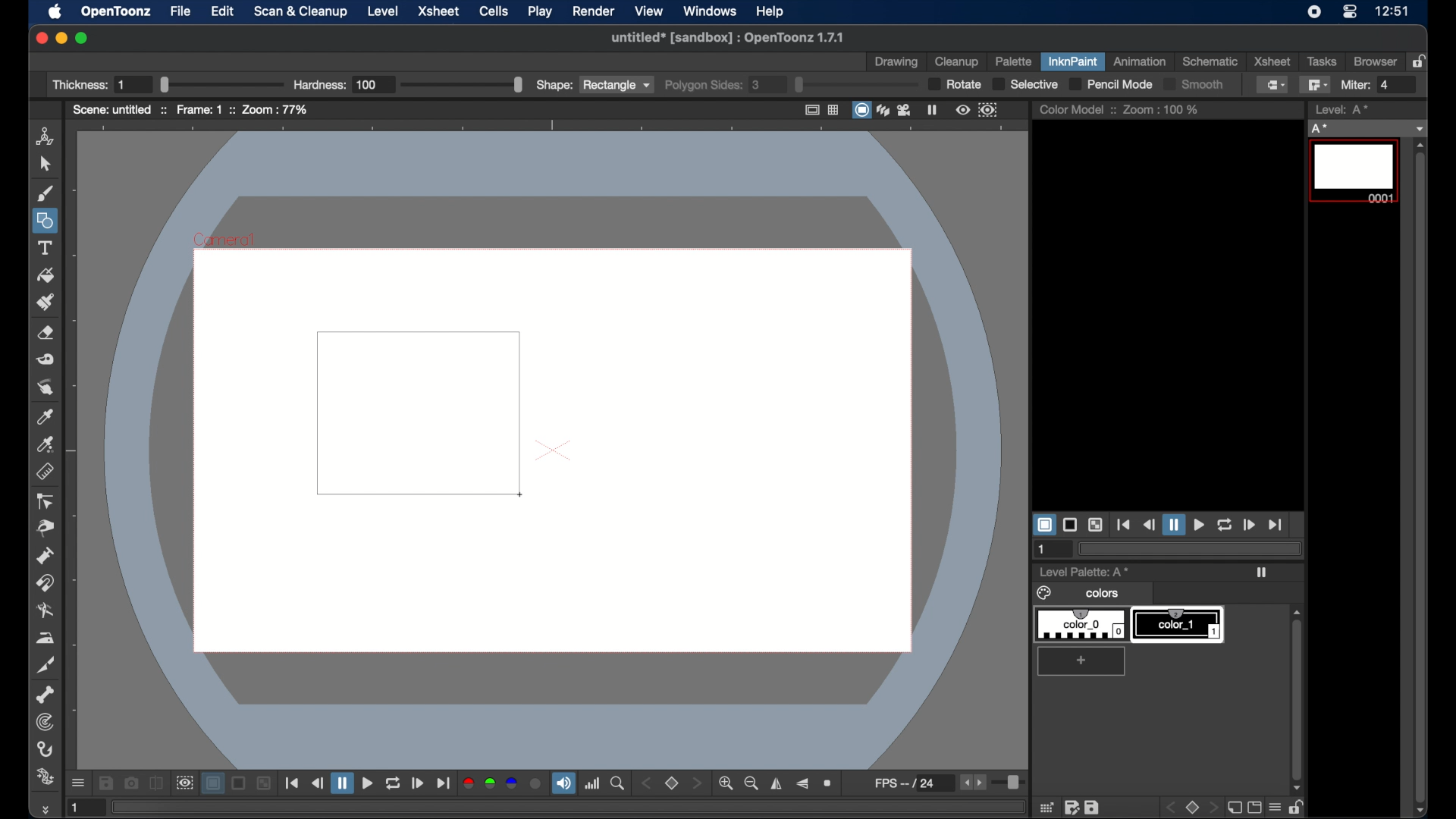 The width and height of the screenshot is (1456, 819). I want to click on field guide, so click(834, 109).